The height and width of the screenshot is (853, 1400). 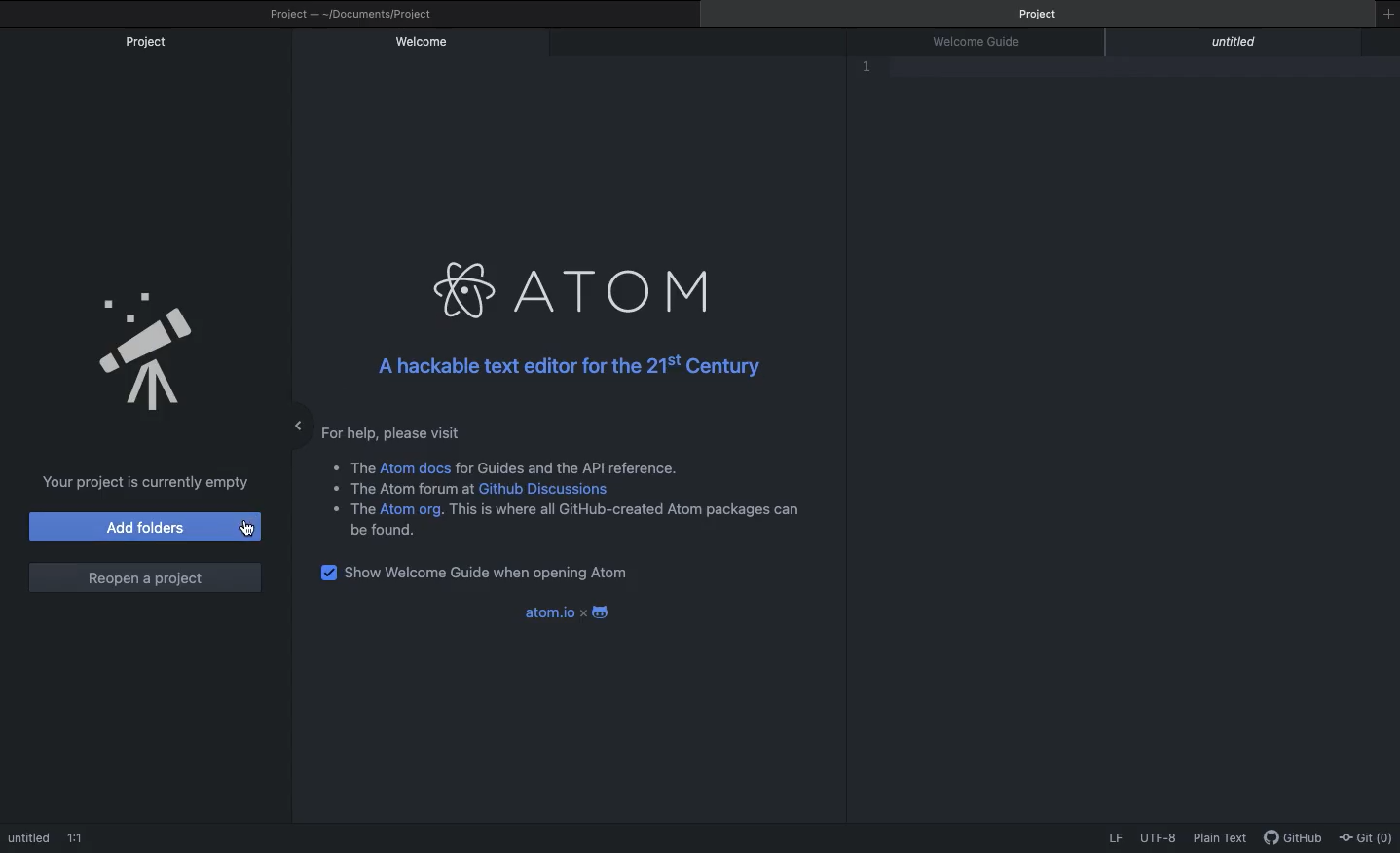 What do you see at coordinates (392, 433) in the screenshot?
I see `For help, please visit` at bounding box center [392, 433].